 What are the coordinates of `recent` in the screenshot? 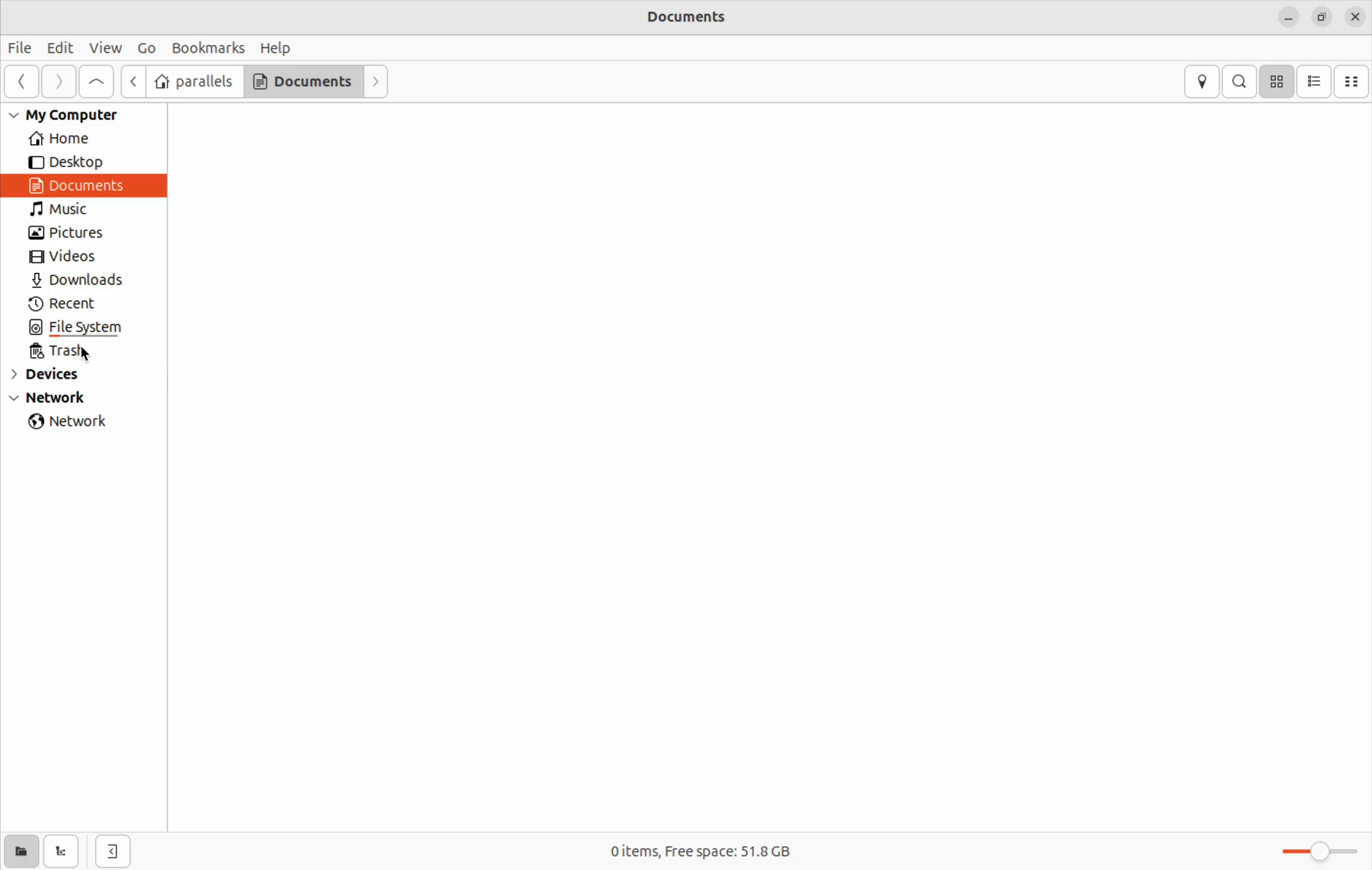 It's located at (67, 306).